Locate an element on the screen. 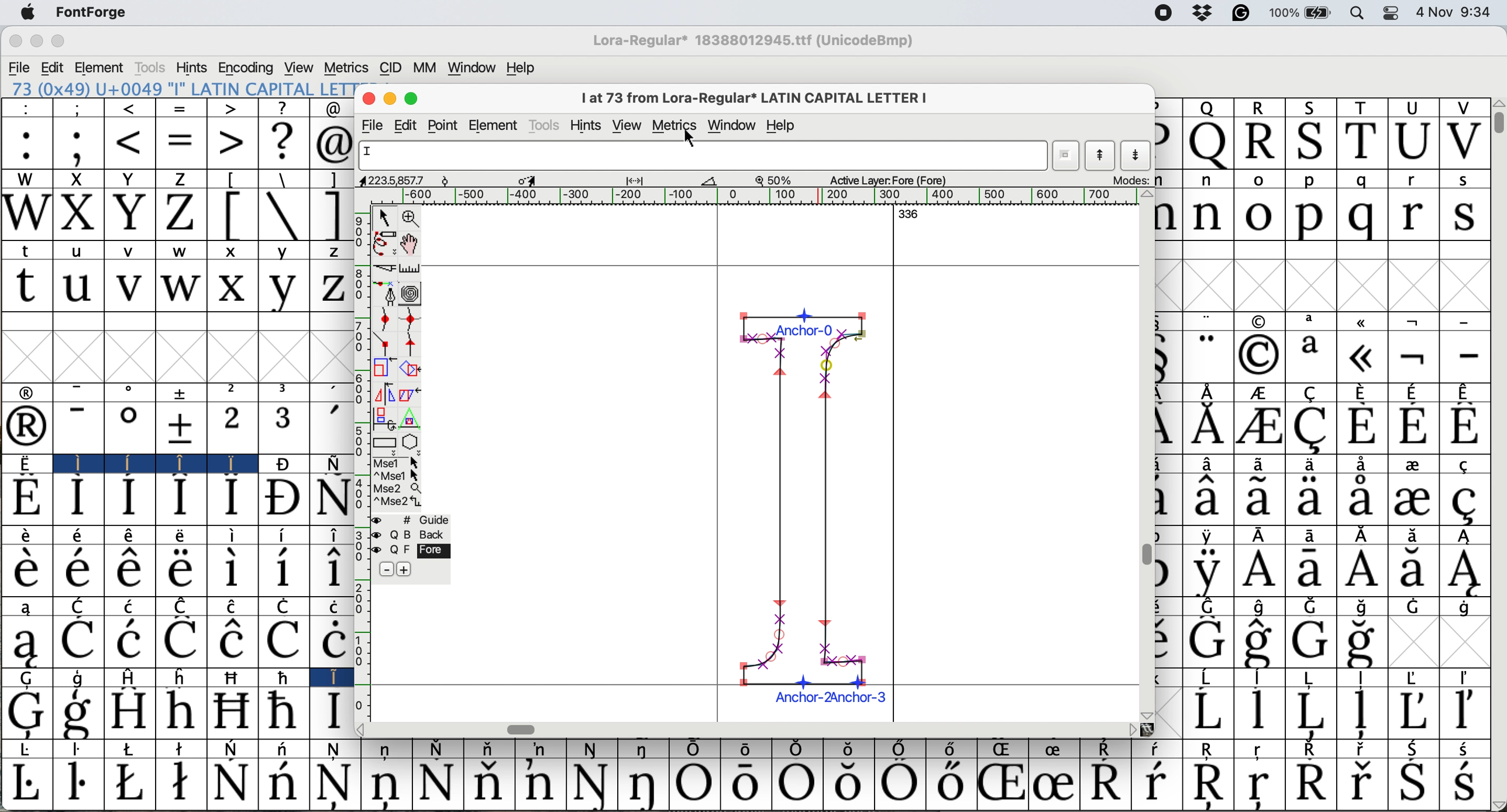 This screenshot has height=812, width=1507. Symbol is located at coordinates (180, 427).